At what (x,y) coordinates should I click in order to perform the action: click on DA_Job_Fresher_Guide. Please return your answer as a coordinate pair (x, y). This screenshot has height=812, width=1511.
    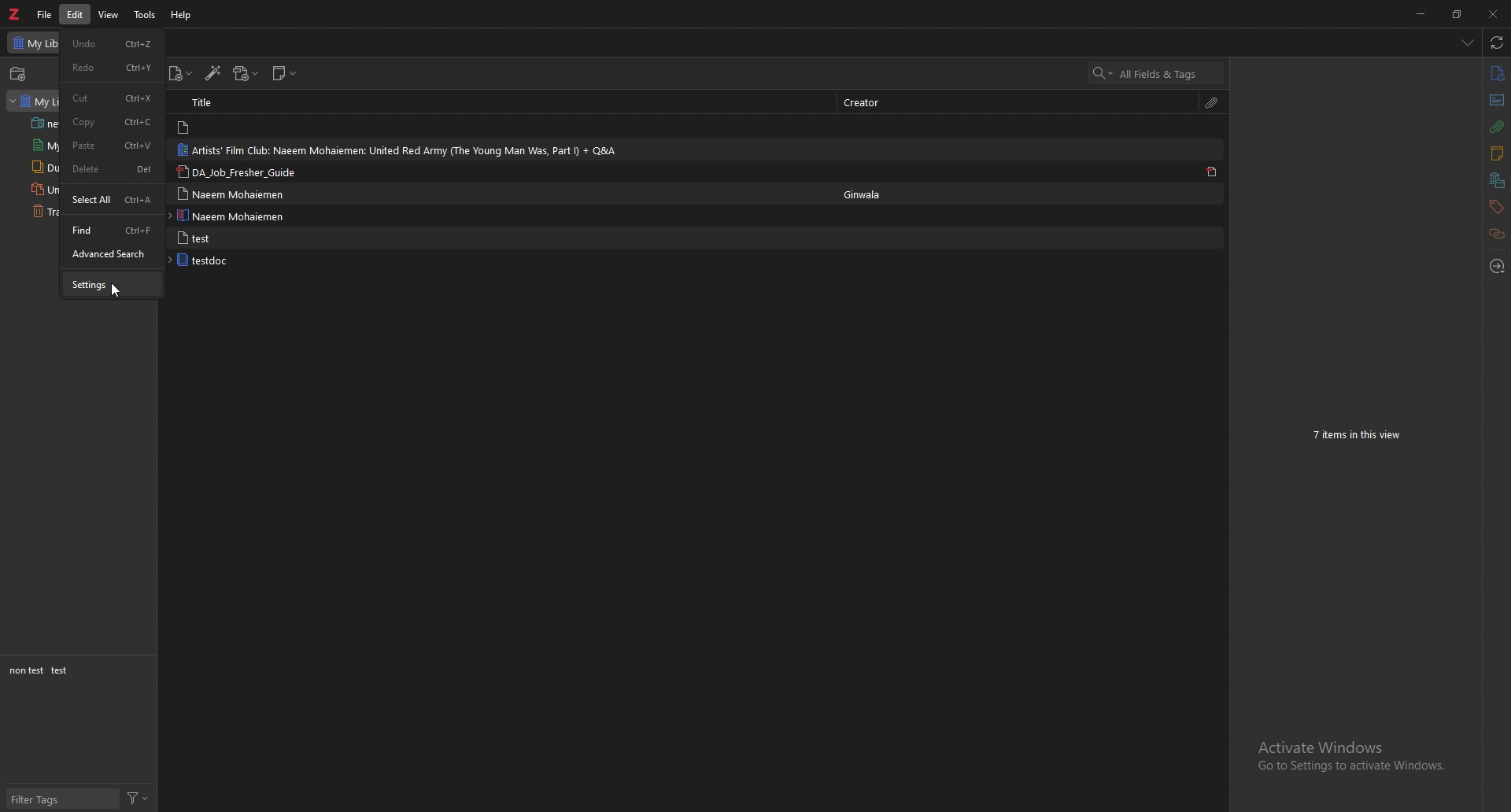
    Looking at the image, I should click on (244, 172).